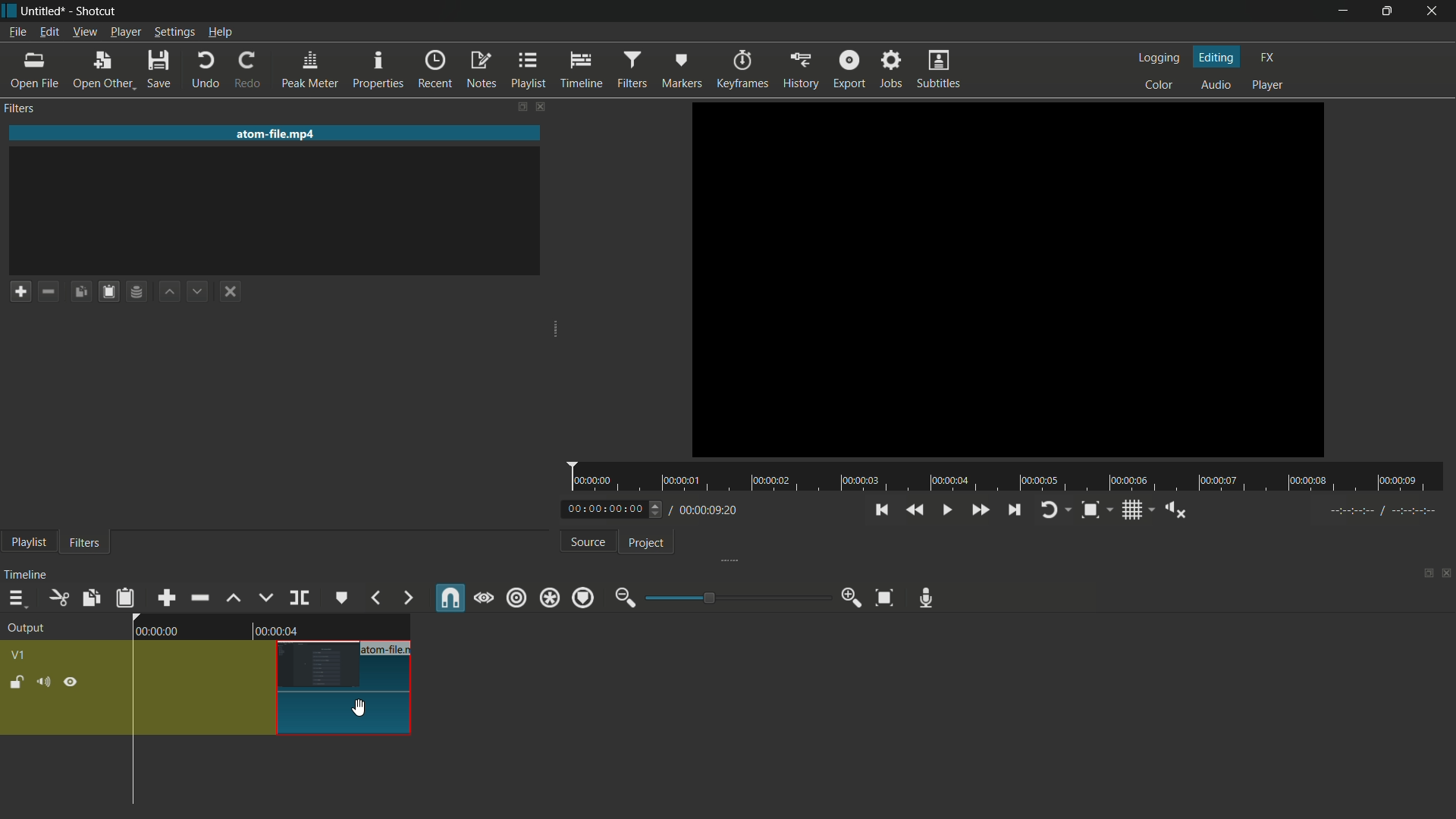 This screenshot has width=1456, height=819. What do you see at coordinates (49, 31) in the screenshot?
I see `edit menu` at bounding box center [49, 31].